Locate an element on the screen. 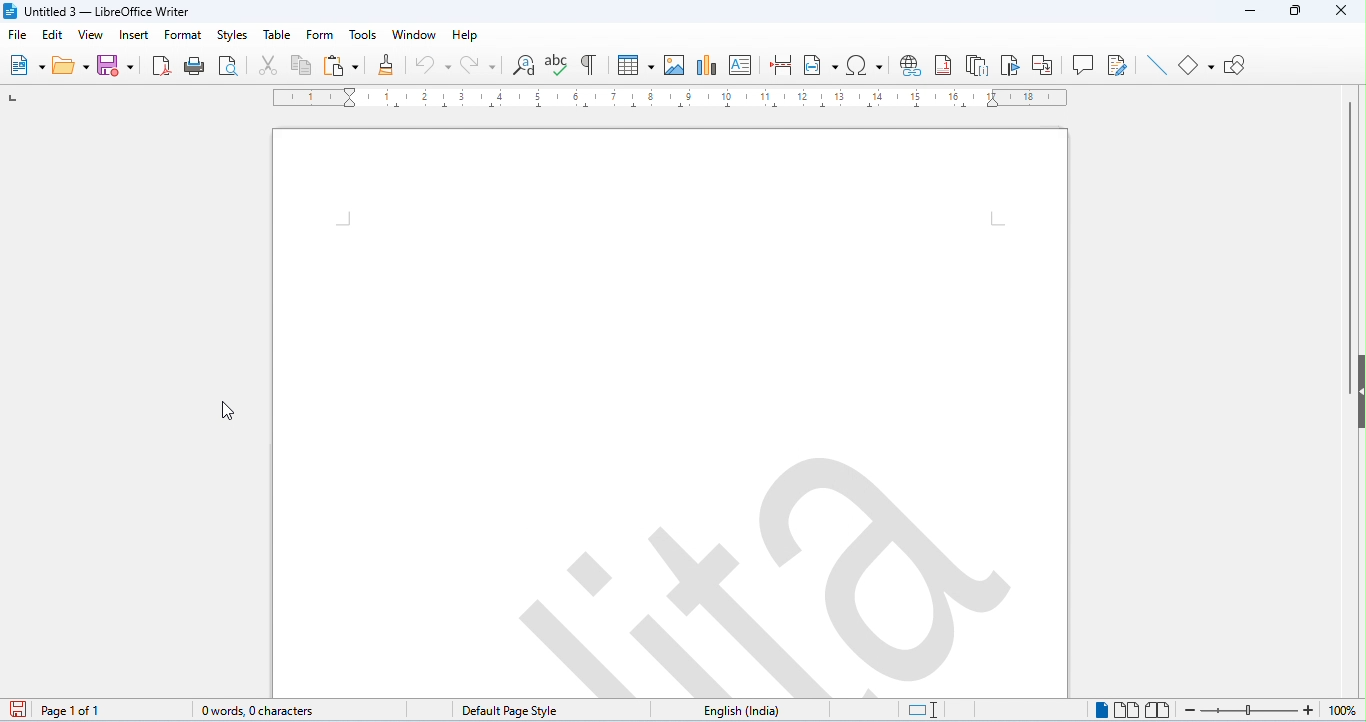 The height and width of the screenshot is (722, 1366). watermark appeared is located at coordinates (720, 577).